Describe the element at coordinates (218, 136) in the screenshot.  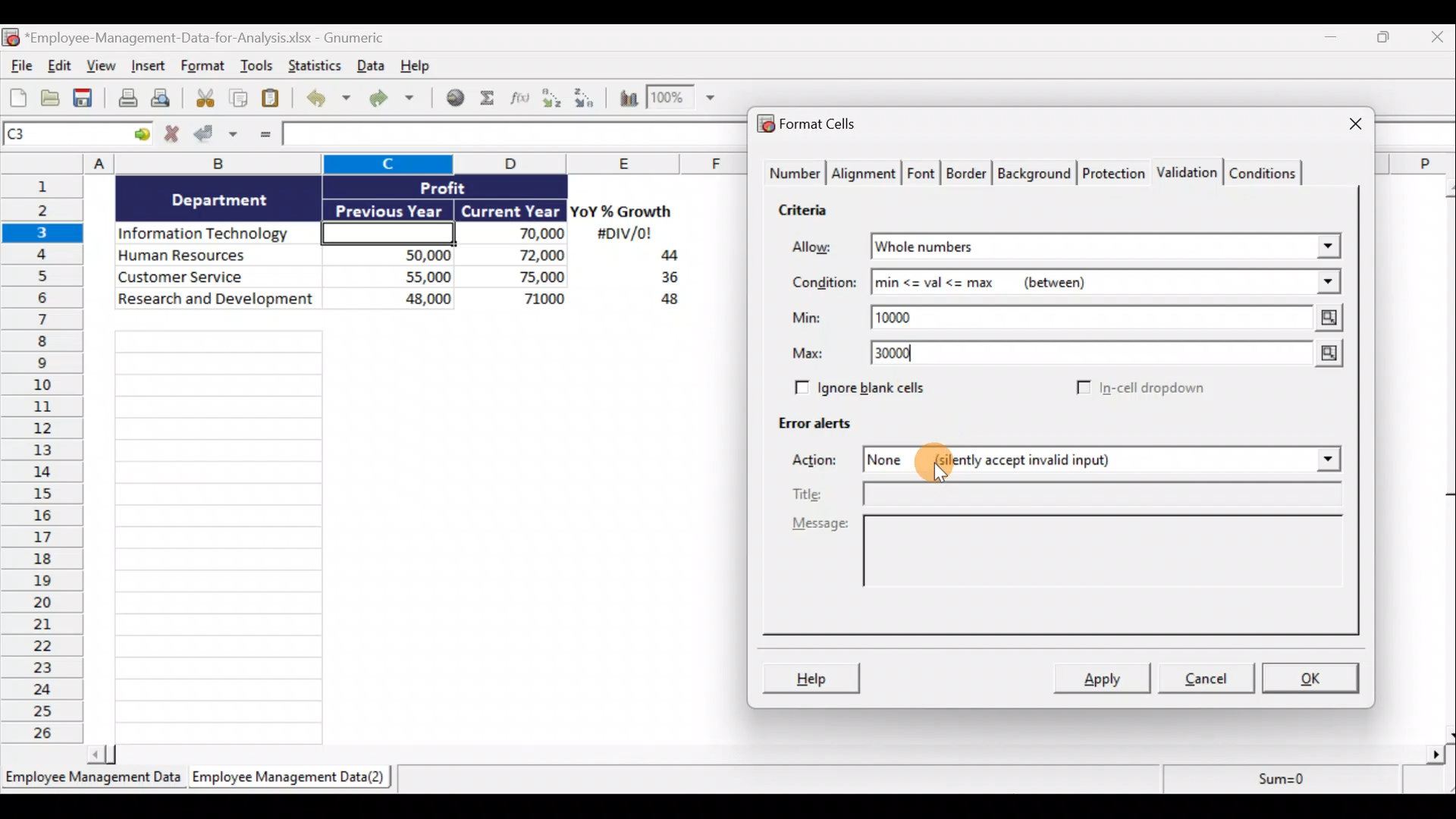
I see `Accept changes` at that location.